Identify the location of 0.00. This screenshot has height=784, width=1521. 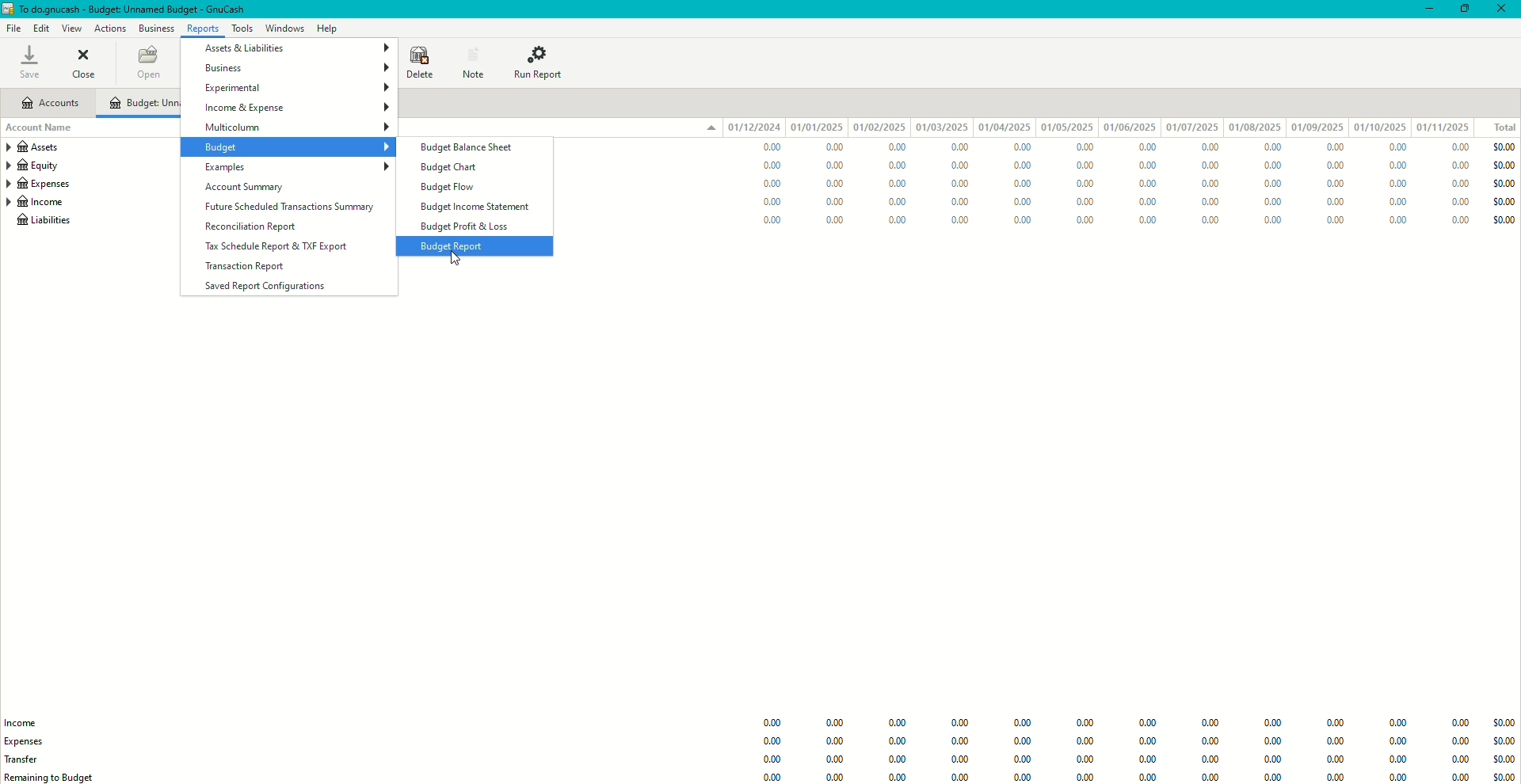
(1205, 147).